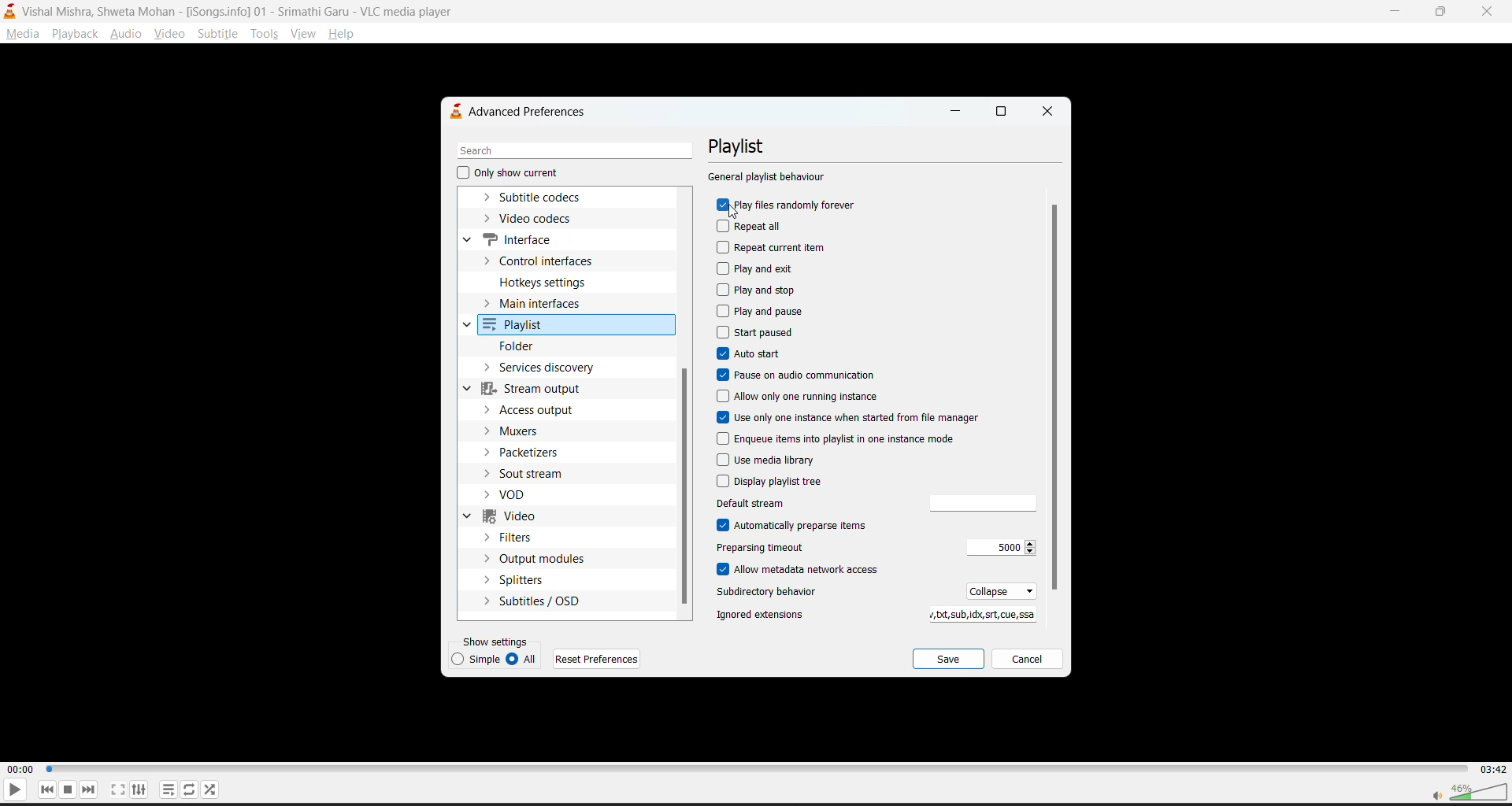 The height and width of the screenshot is (806, 1512). What do you see at coordinates (513, 433) in the screenshot?
I see `muxers` at bounding box center [513, 433].